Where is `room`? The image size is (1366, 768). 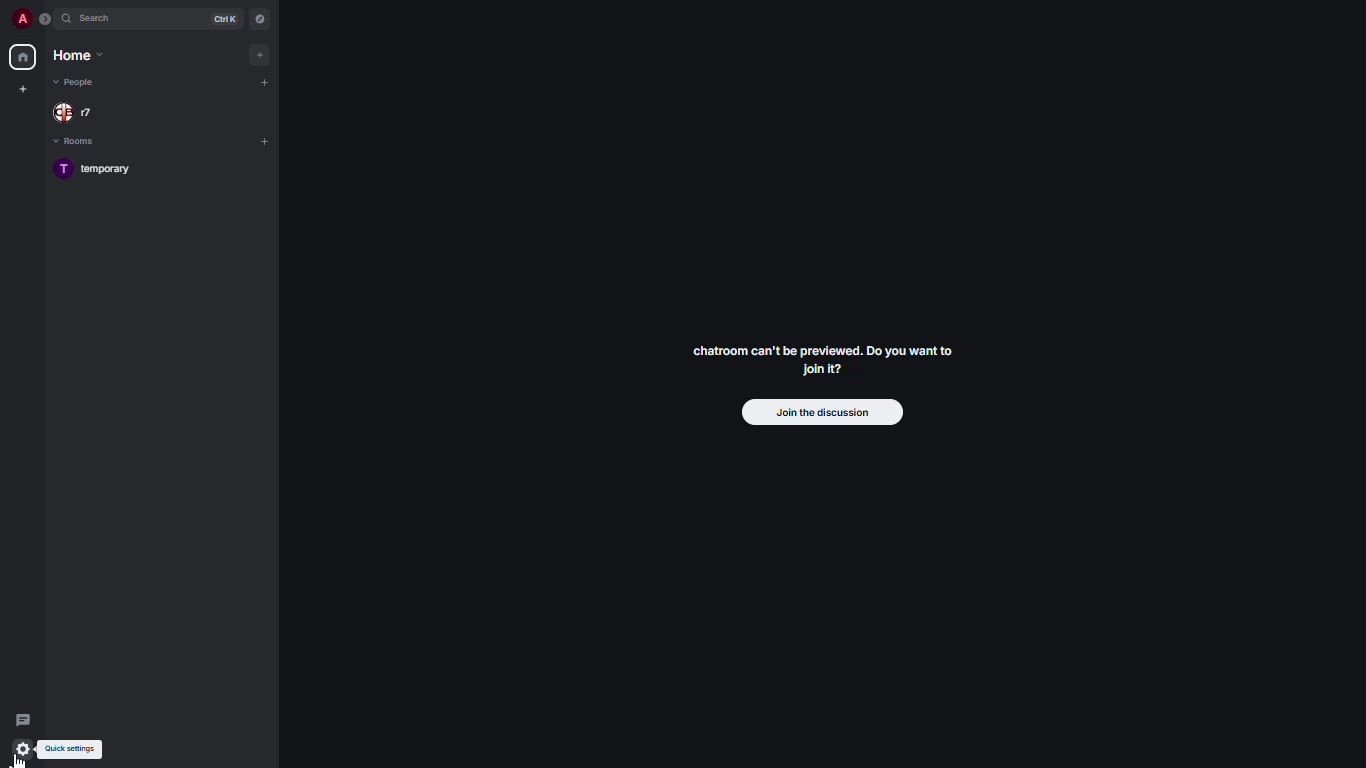 room is located at coordinates (98, 170).